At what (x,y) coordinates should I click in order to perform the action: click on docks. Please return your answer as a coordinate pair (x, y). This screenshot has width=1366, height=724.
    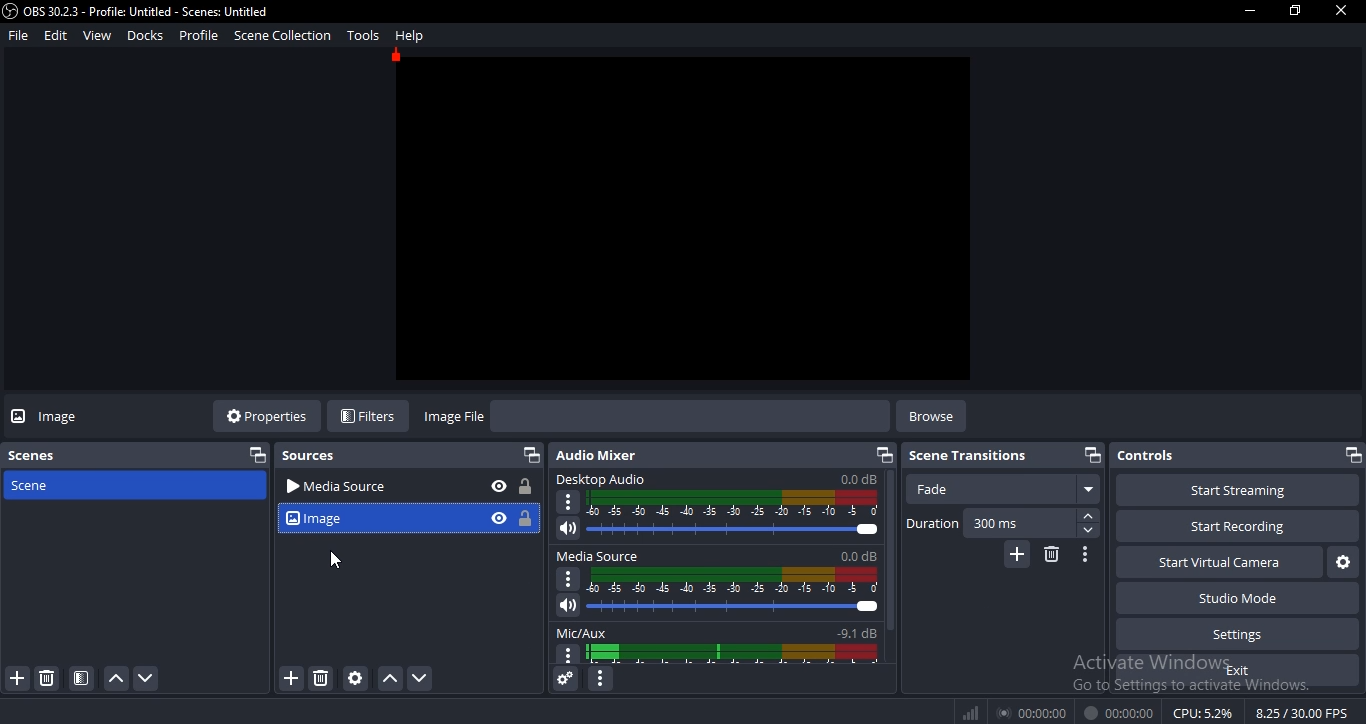
    Looking at the image, I should click on (146, 36).